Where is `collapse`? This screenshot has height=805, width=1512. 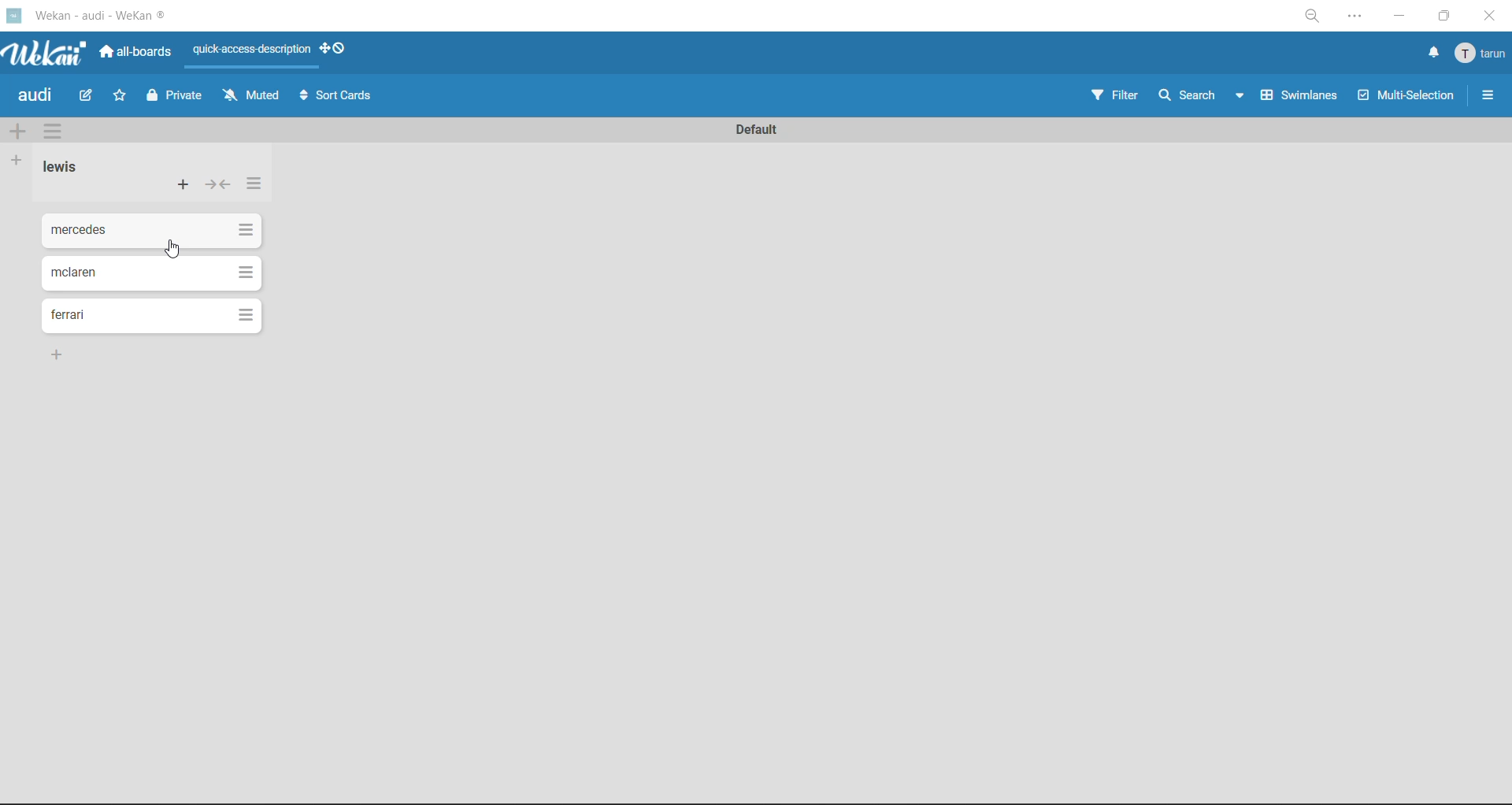
collapse is located at coordinates (217, 188).